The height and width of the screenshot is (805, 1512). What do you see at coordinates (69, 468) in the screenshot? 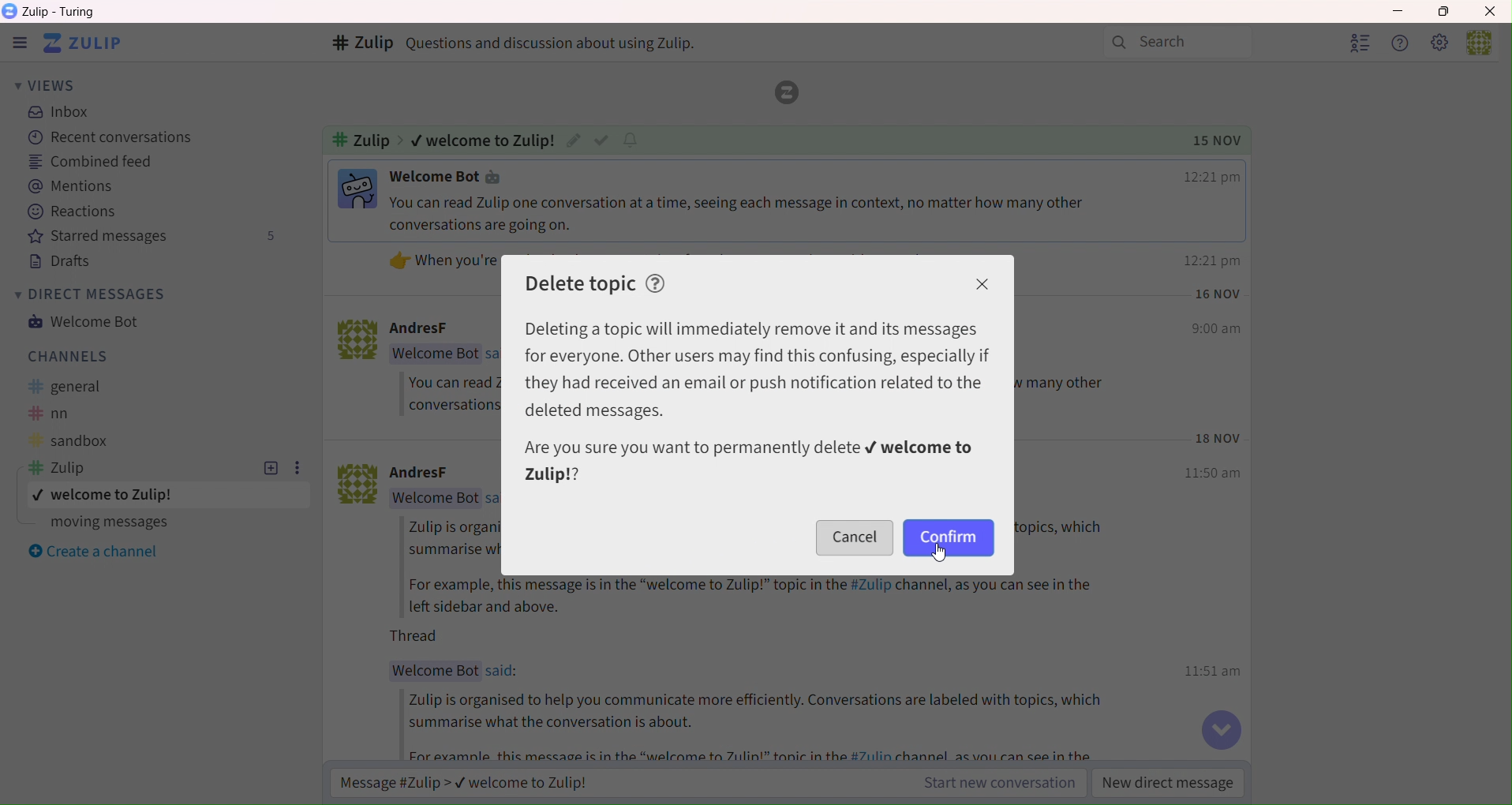
I see `Text` at bounding box center [69, 468].